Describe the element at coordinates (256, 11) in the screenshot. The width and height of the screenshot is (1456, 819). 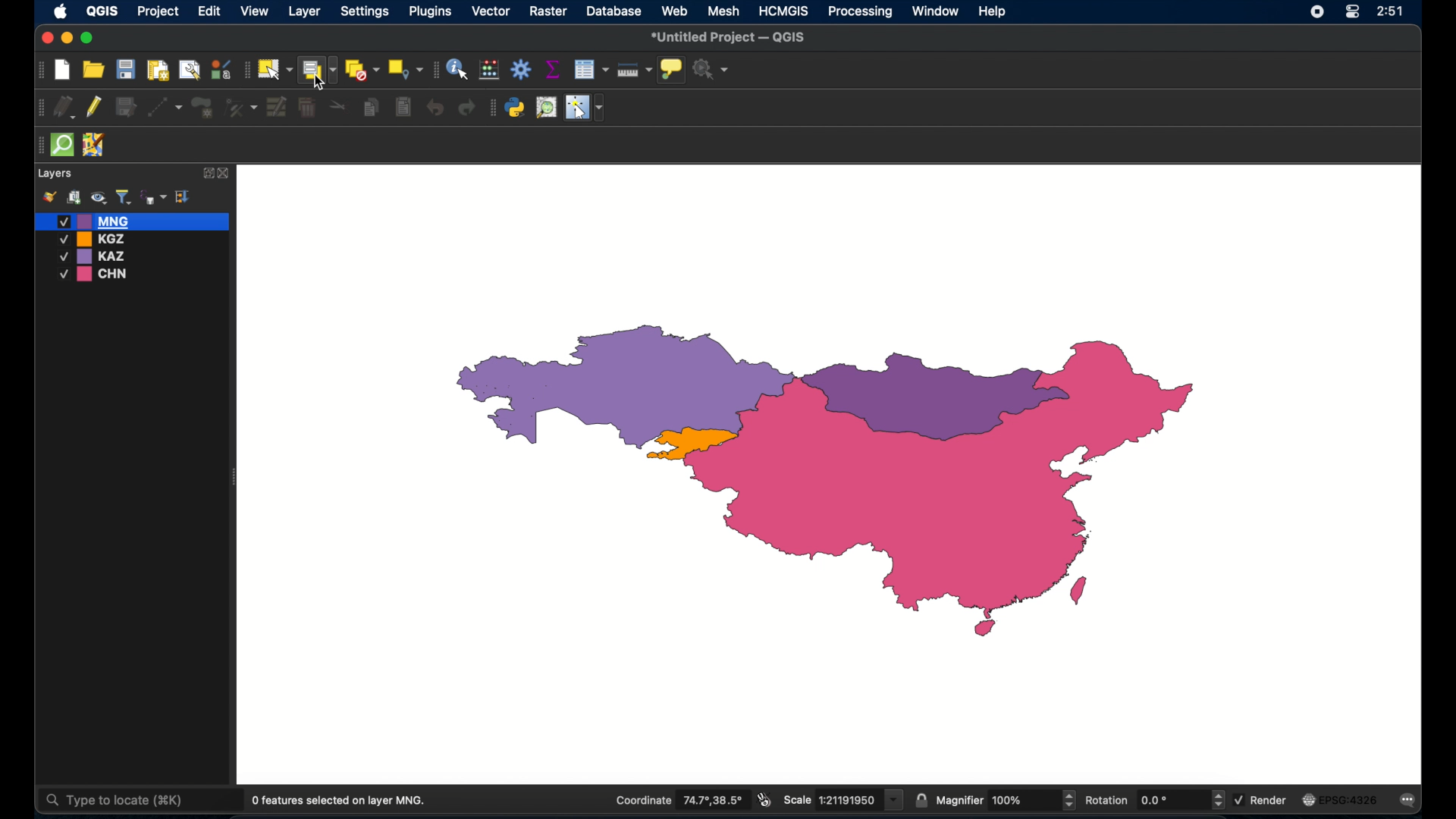
I see `view` at that location.